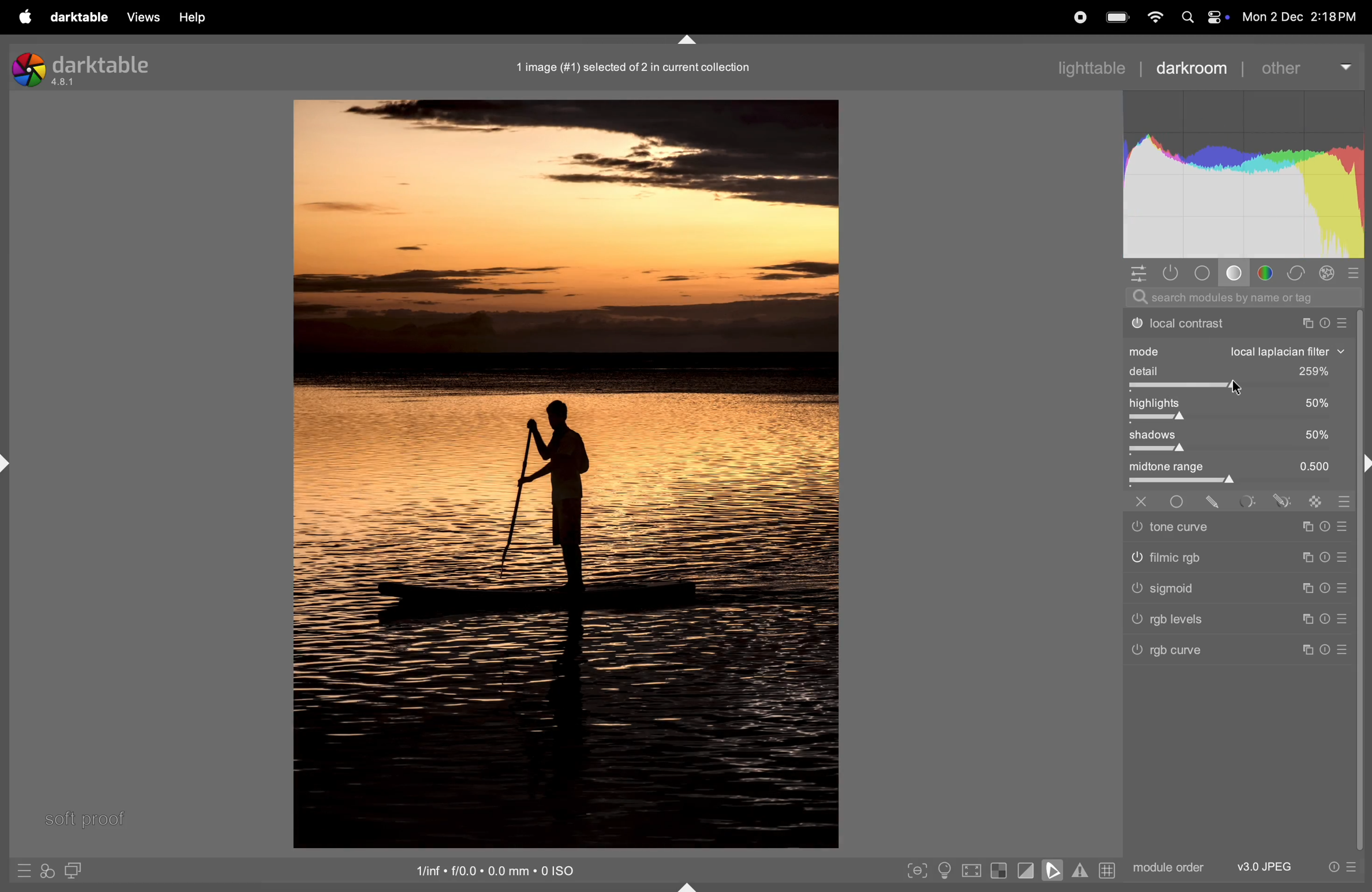 This screenshot has height=892, width=1372. Describe the element at coordinates (1177, 653) in the screenshot. I see `rgb curve ` at that location.